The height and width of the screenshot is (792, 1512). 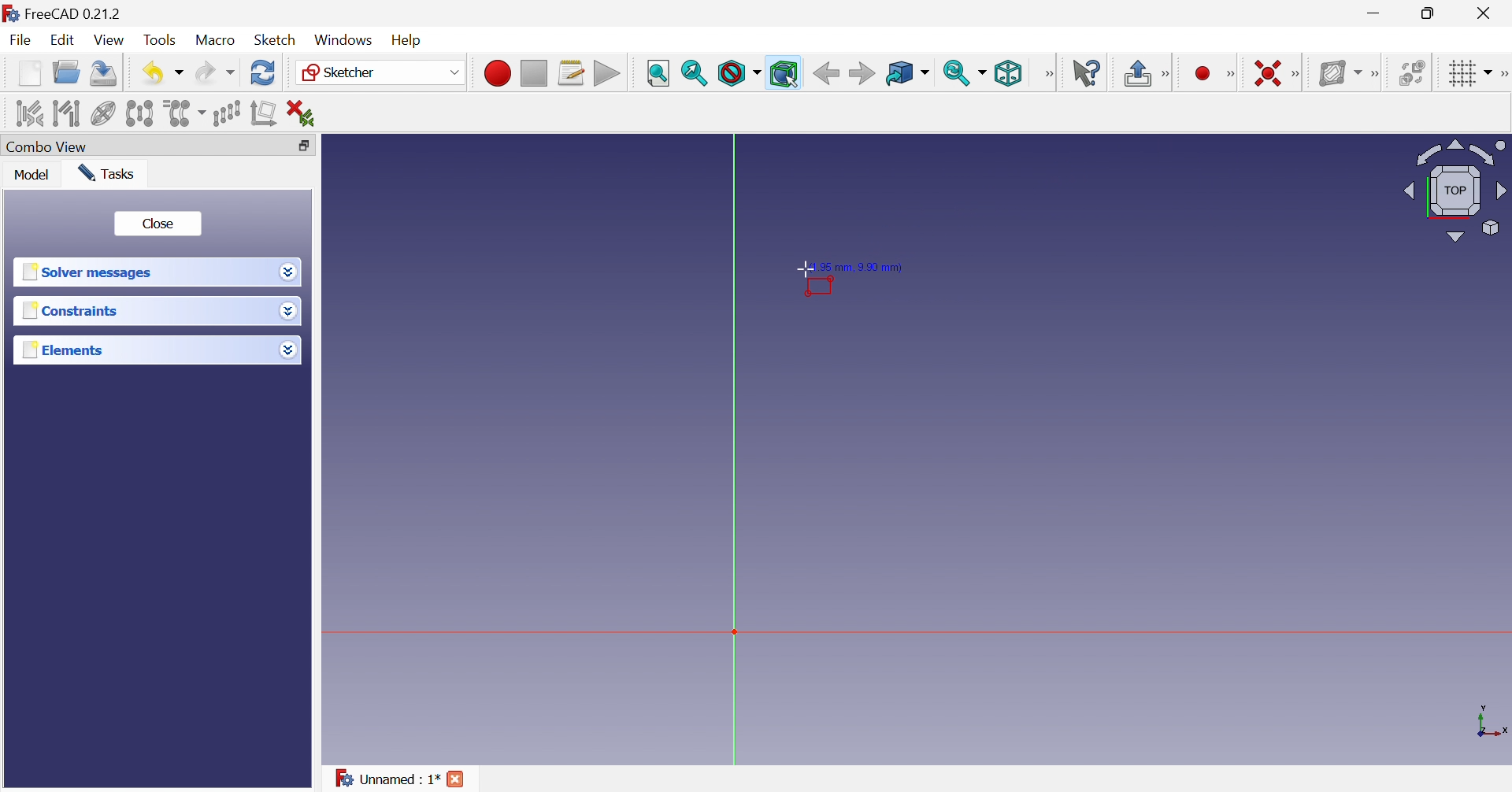 I want to click on Macro recording..., so click(x=498, y=74).